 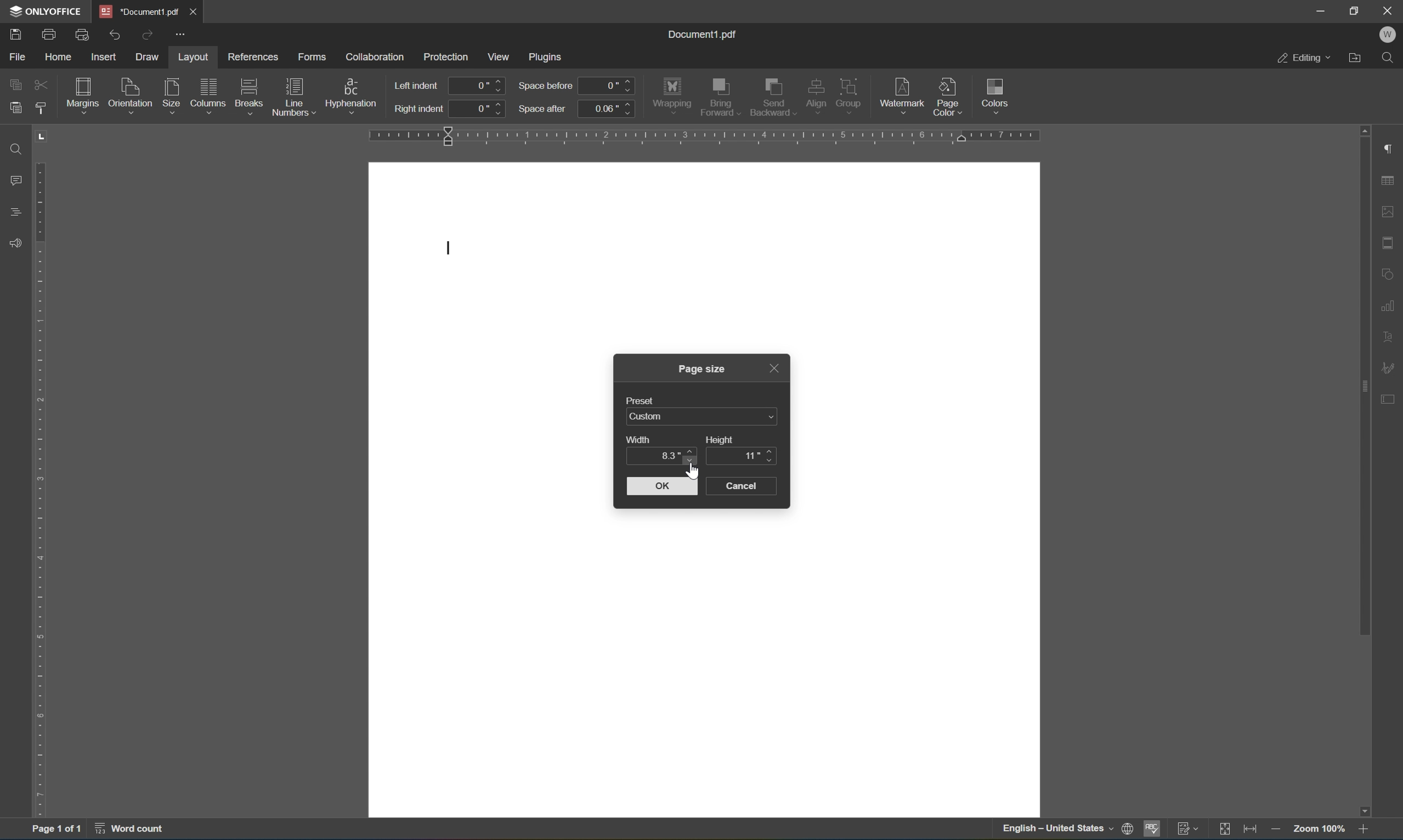 What do you see at coordinates (118, 32) in the screenshot?
I see `undo` at bounding box center [118, 32].